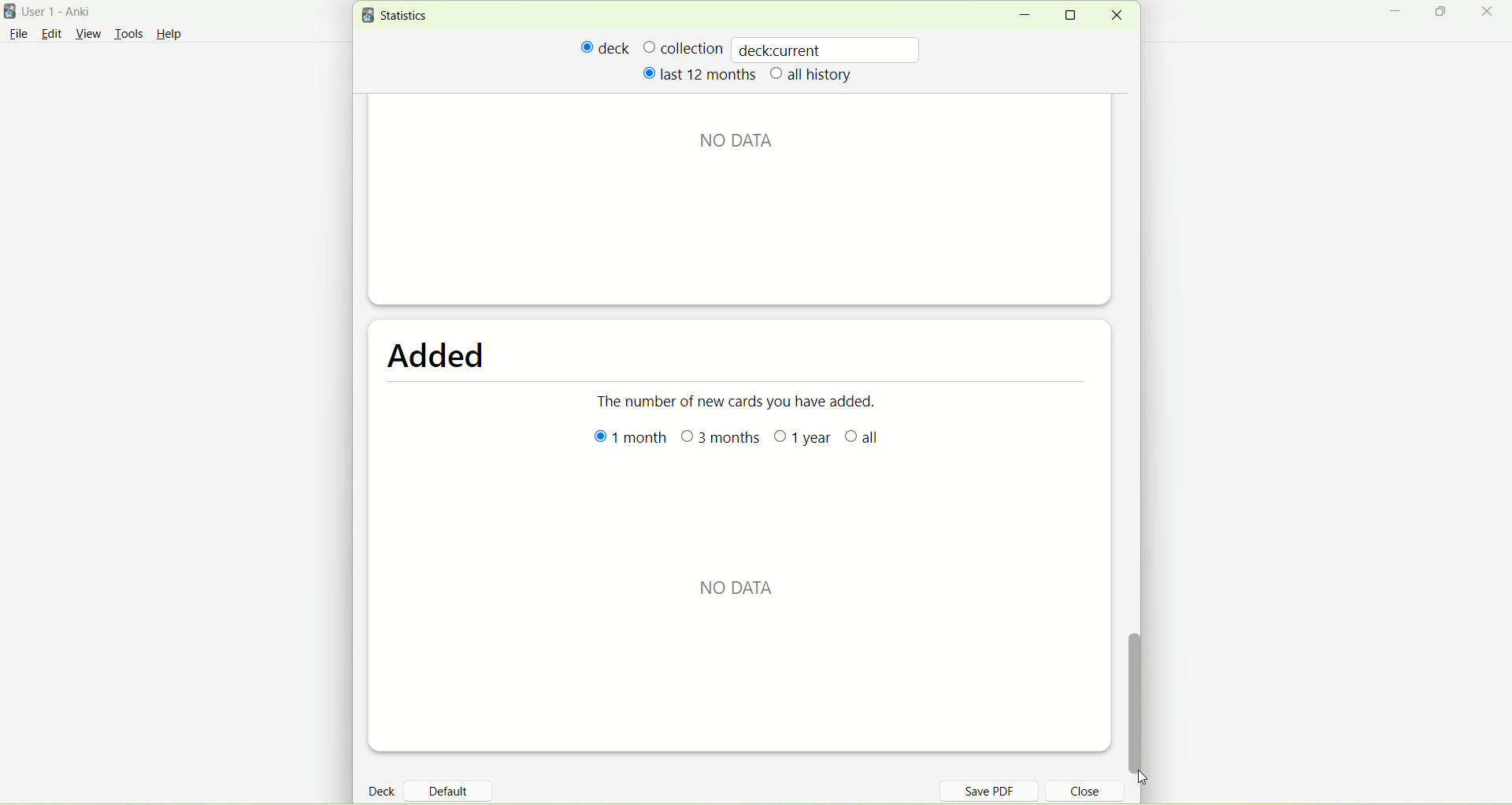 This screenshot has height=805, width=1512. Describe the element at coordinates (384, 790) in the screenshot. I see `deck` at that location.